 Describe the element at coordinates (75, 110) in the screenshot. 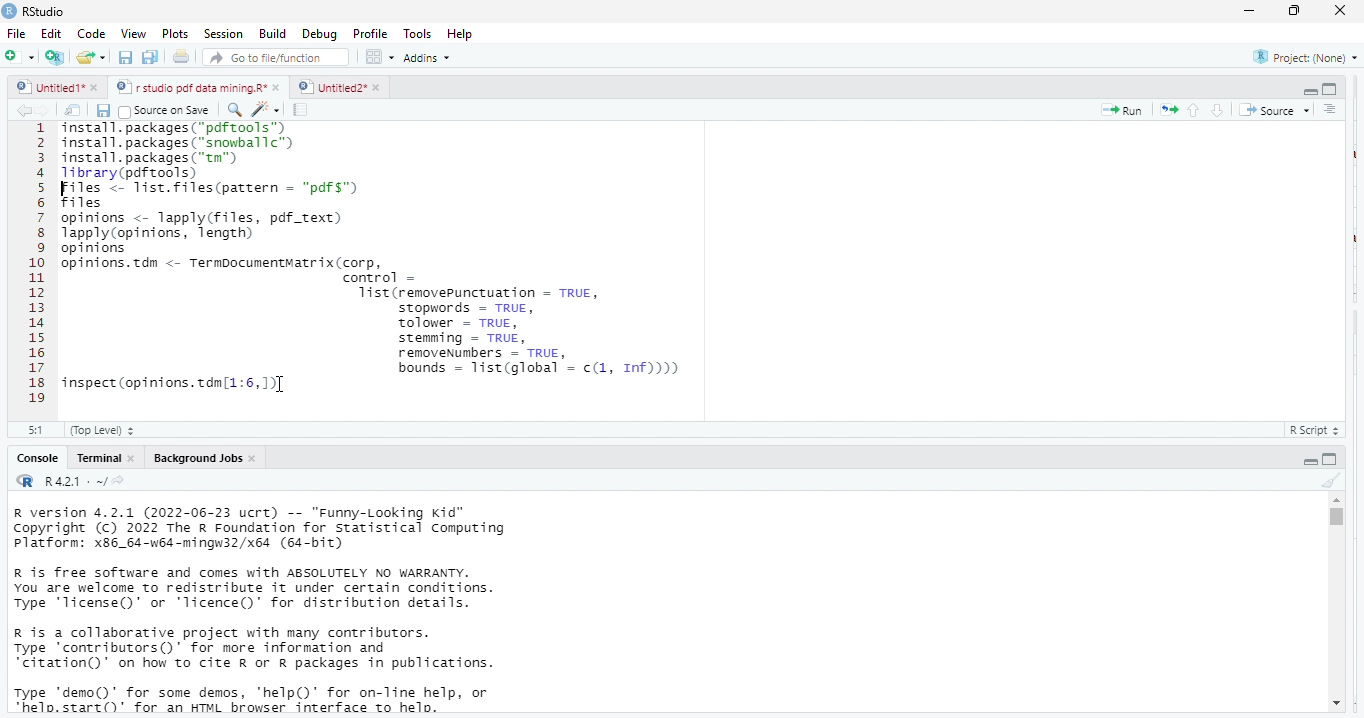

I see `show in new window` at that location.